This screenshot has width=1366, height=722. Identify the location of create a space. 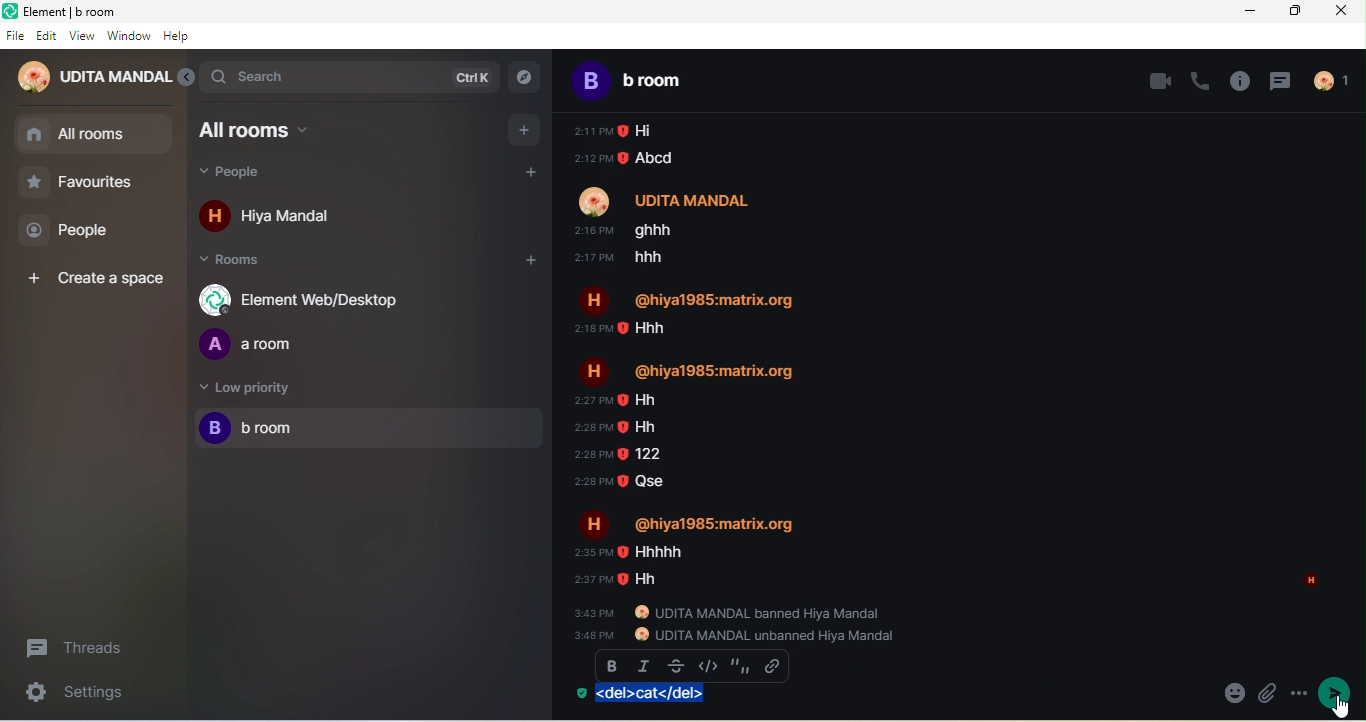
(100, 279).